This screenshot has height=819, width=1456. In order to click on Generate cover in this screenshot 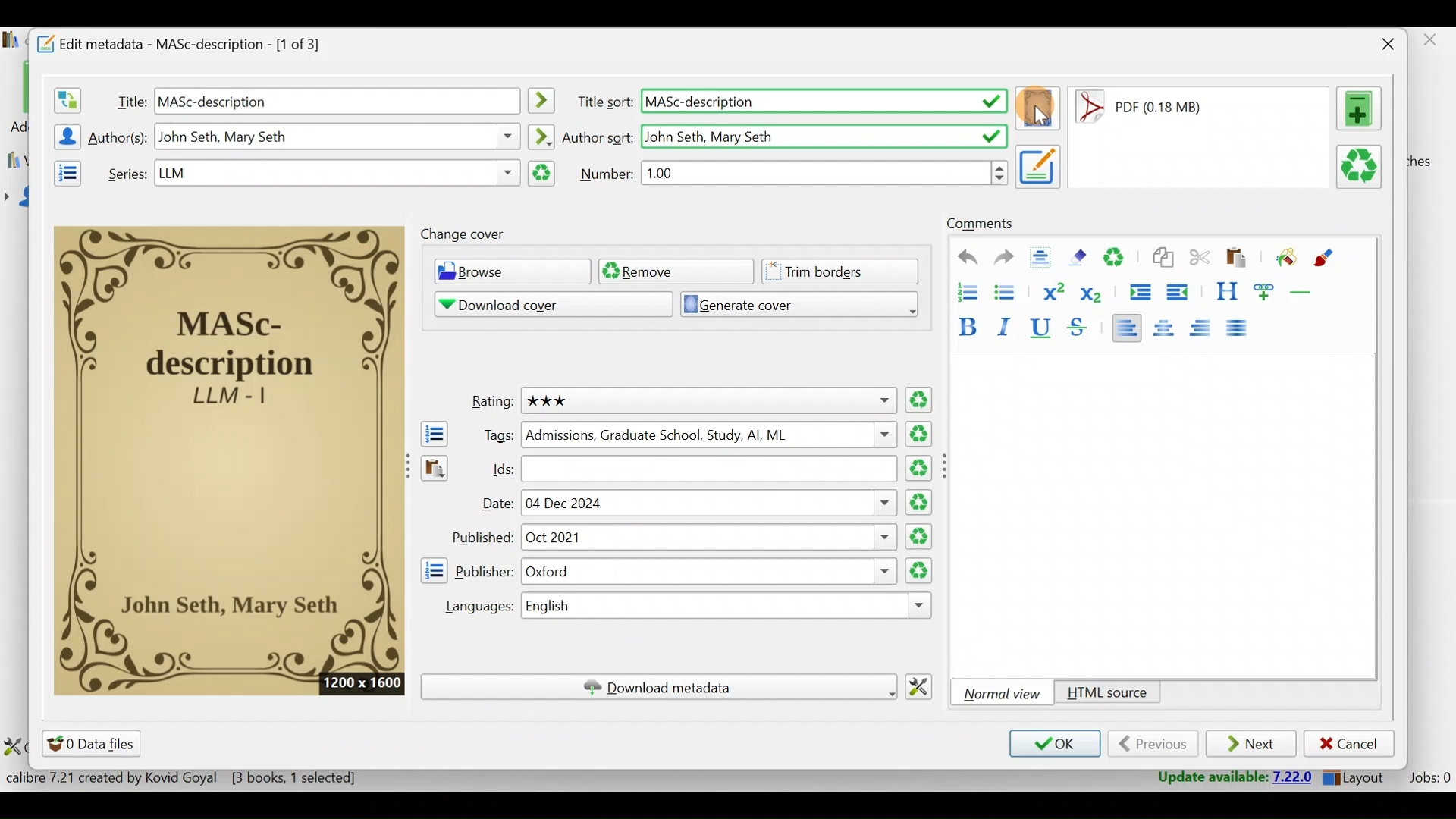, I will do `click(793, 303)`.